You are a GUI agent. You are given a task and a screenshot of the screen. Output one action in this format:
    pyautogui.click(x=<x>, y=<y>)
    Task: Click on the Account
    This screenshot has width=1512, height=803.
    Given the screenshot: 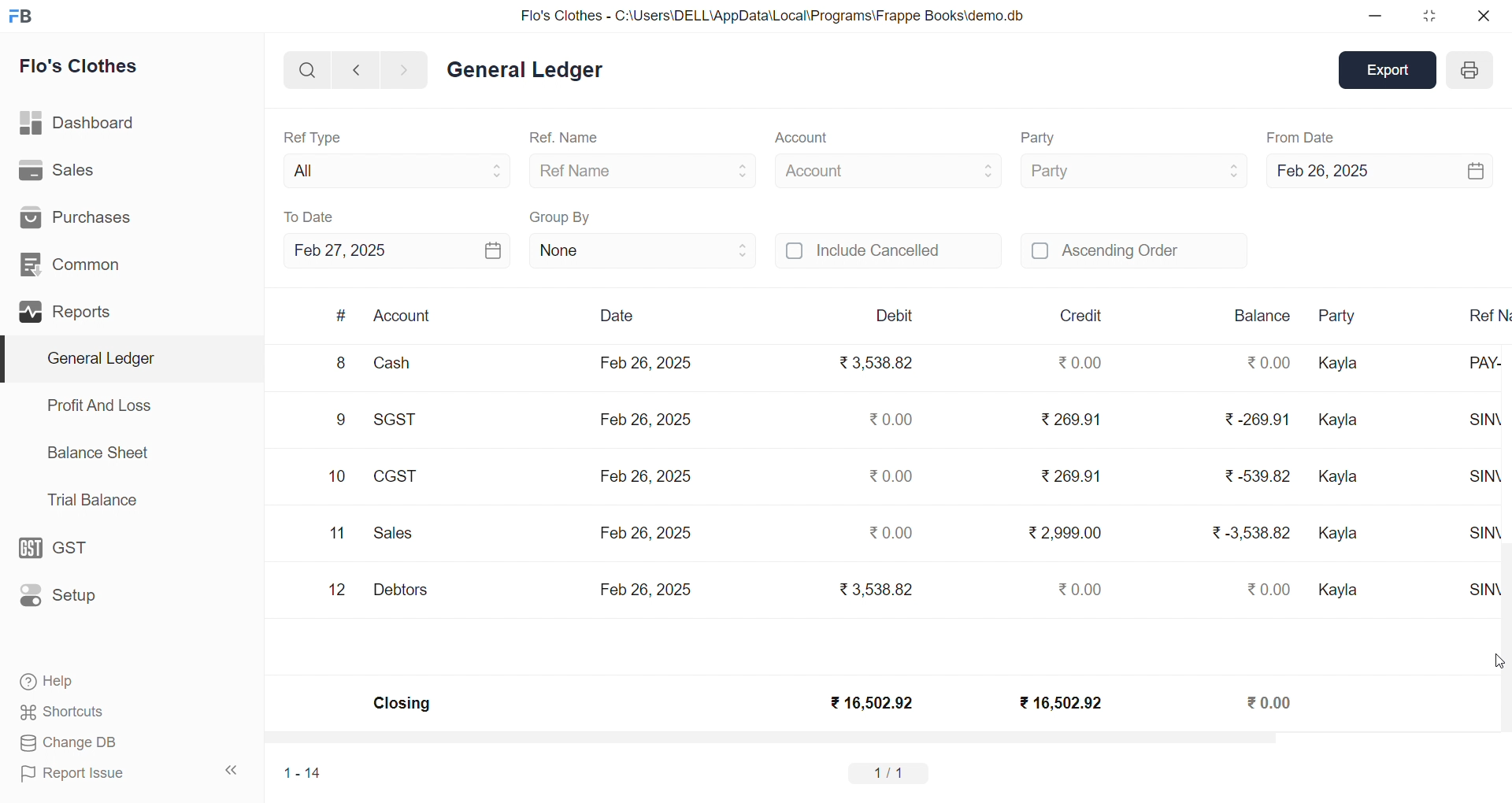 What is the action you would take?
    pyautogui.click(x=800, y=139)
    